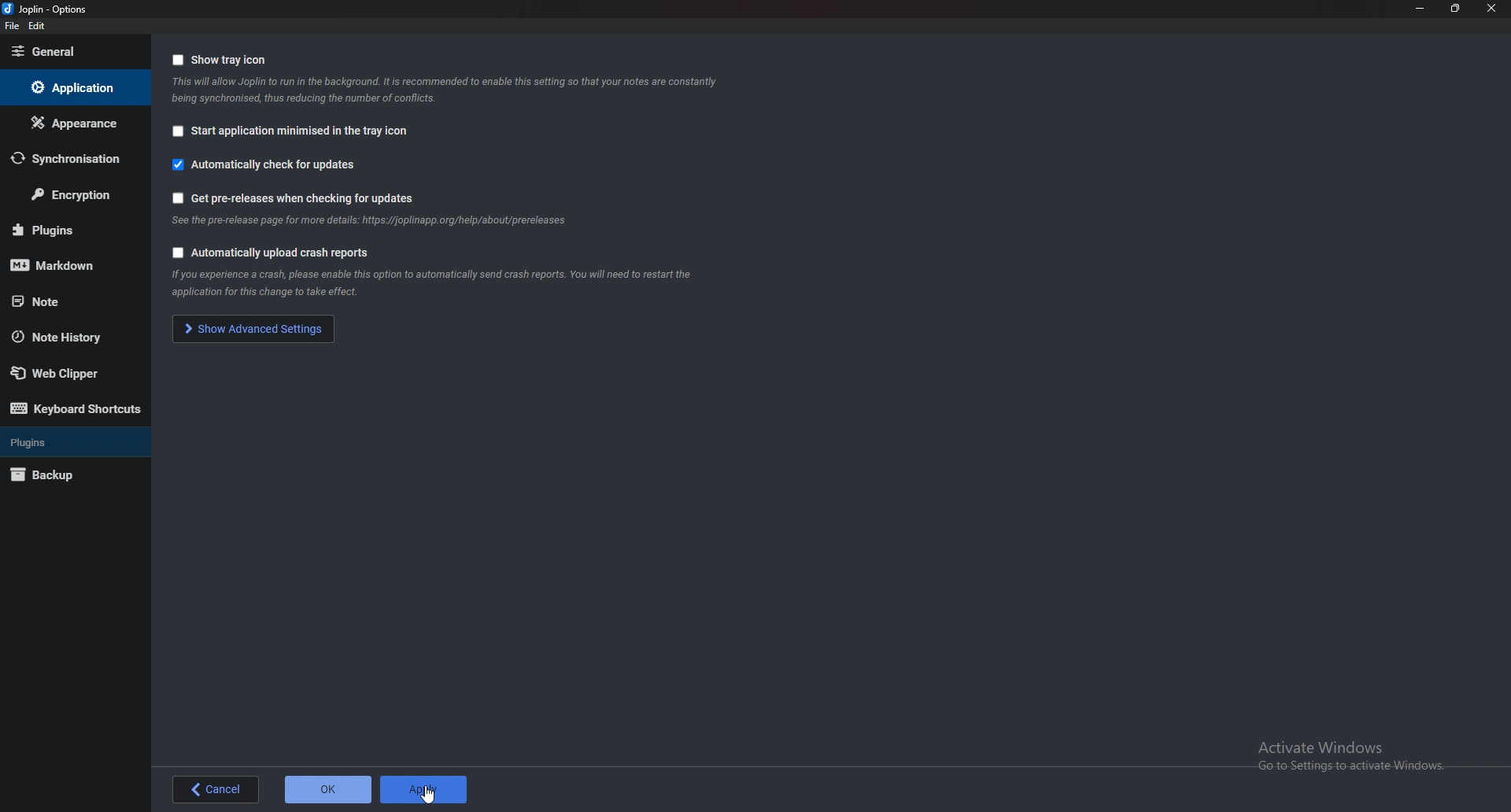 Image resolution: width=1511 pixels, height=812 pixels. I want to click on Checkbox , so click(175, 253).